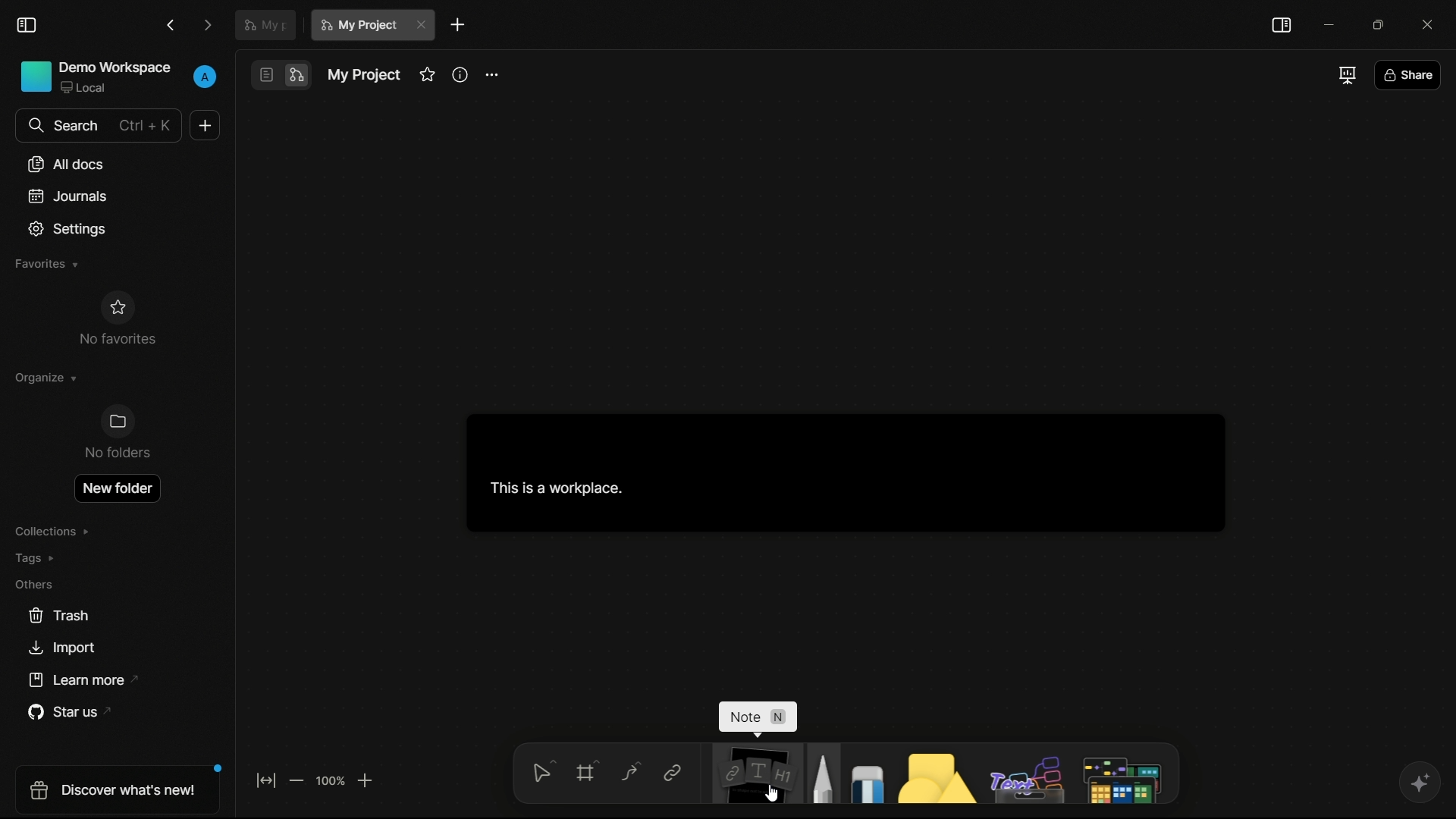 The width and height of the screenshot is (1456, 819). What do you see at coordinates (206, 76) in the screenshot?
I see `profile` at bounding box center [206, 76].